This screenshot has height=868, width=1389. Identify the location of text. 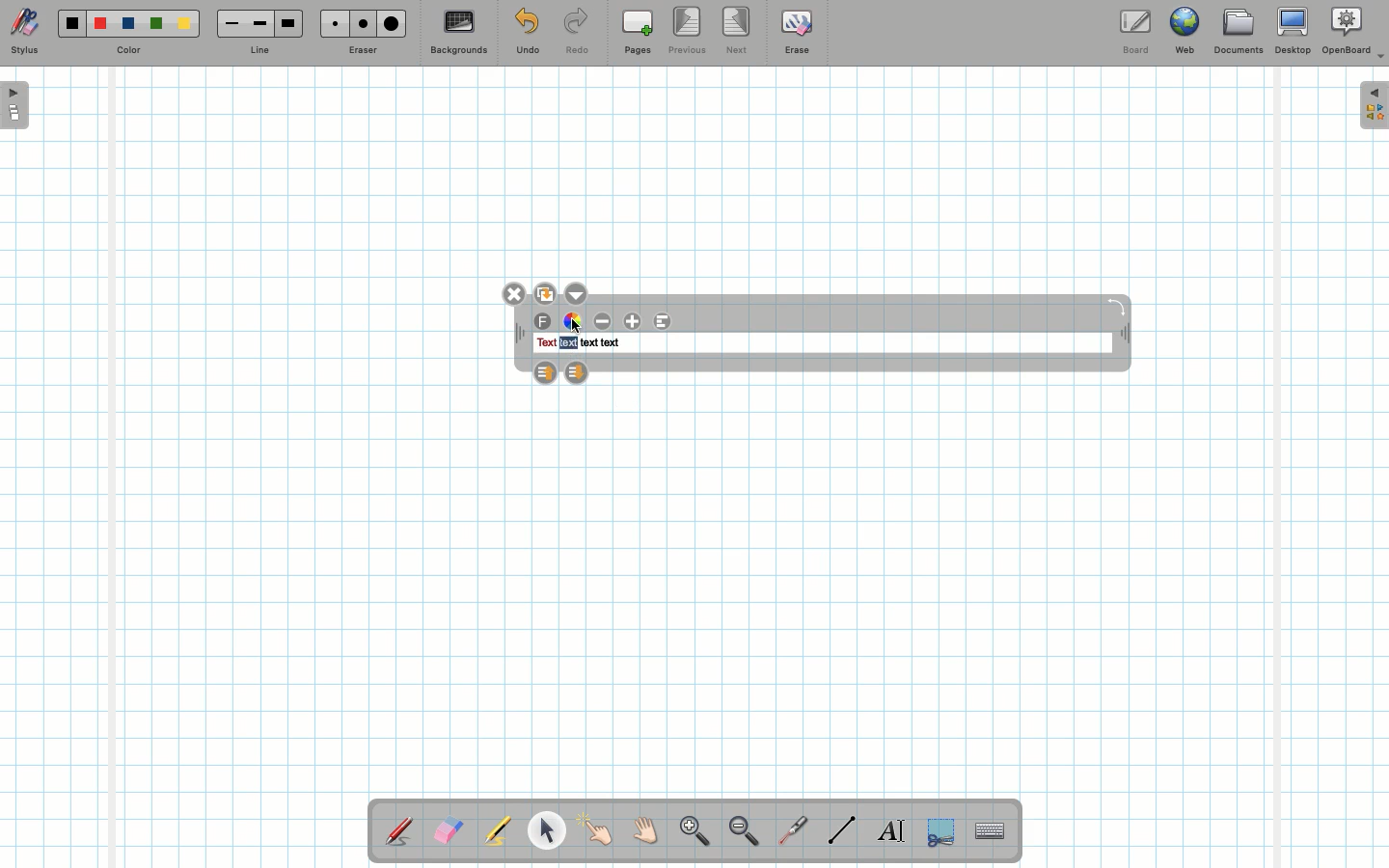
(545, 343).